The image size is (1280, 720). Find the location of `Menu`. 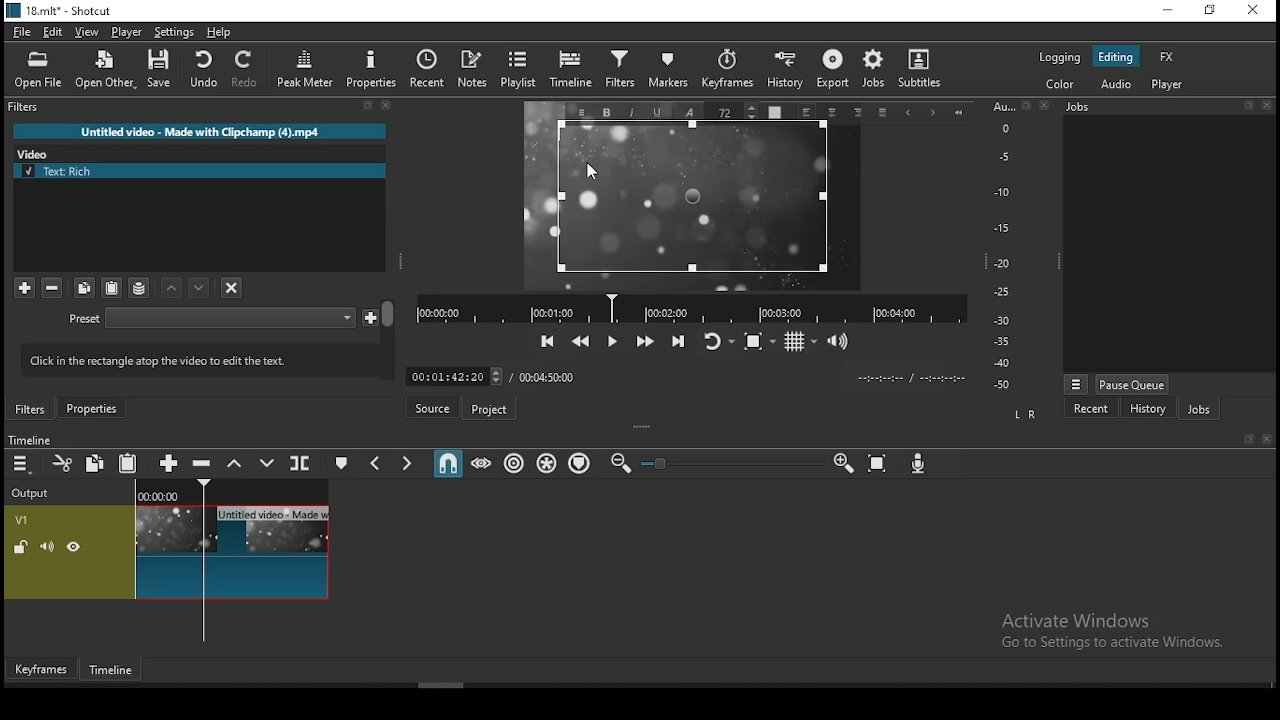

Menu is located at coordinates (581, 112).